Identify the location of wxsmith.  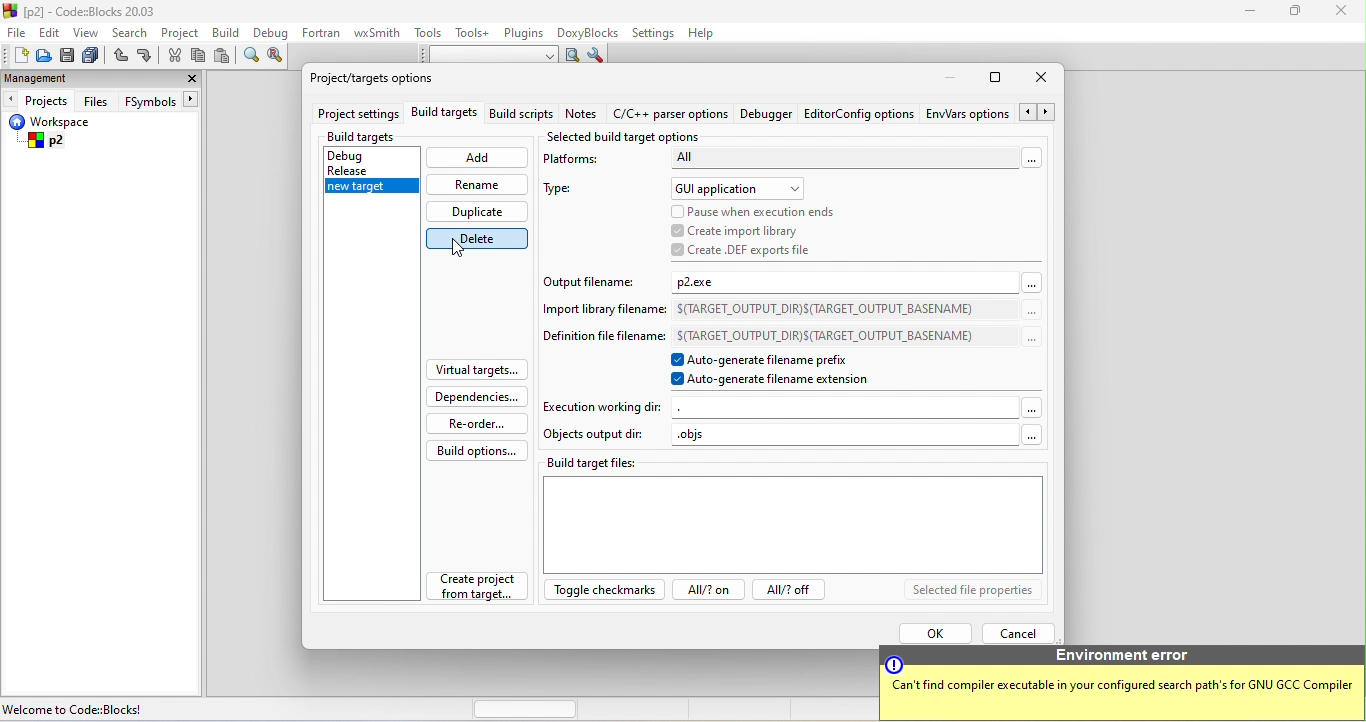
(379, 32).